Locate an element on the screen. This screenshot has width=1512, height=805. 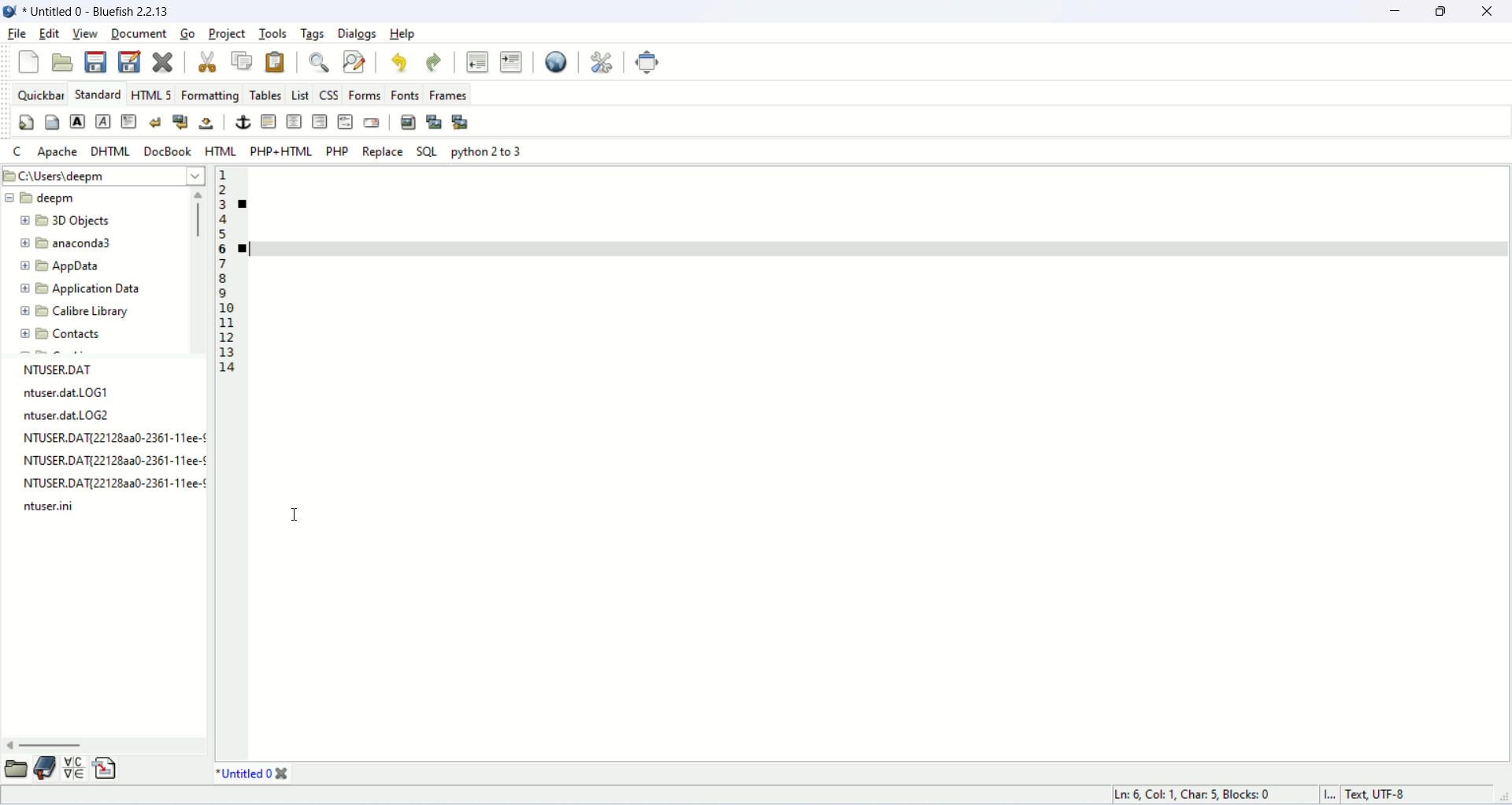
DocBook is located at coordinates (167, 150).